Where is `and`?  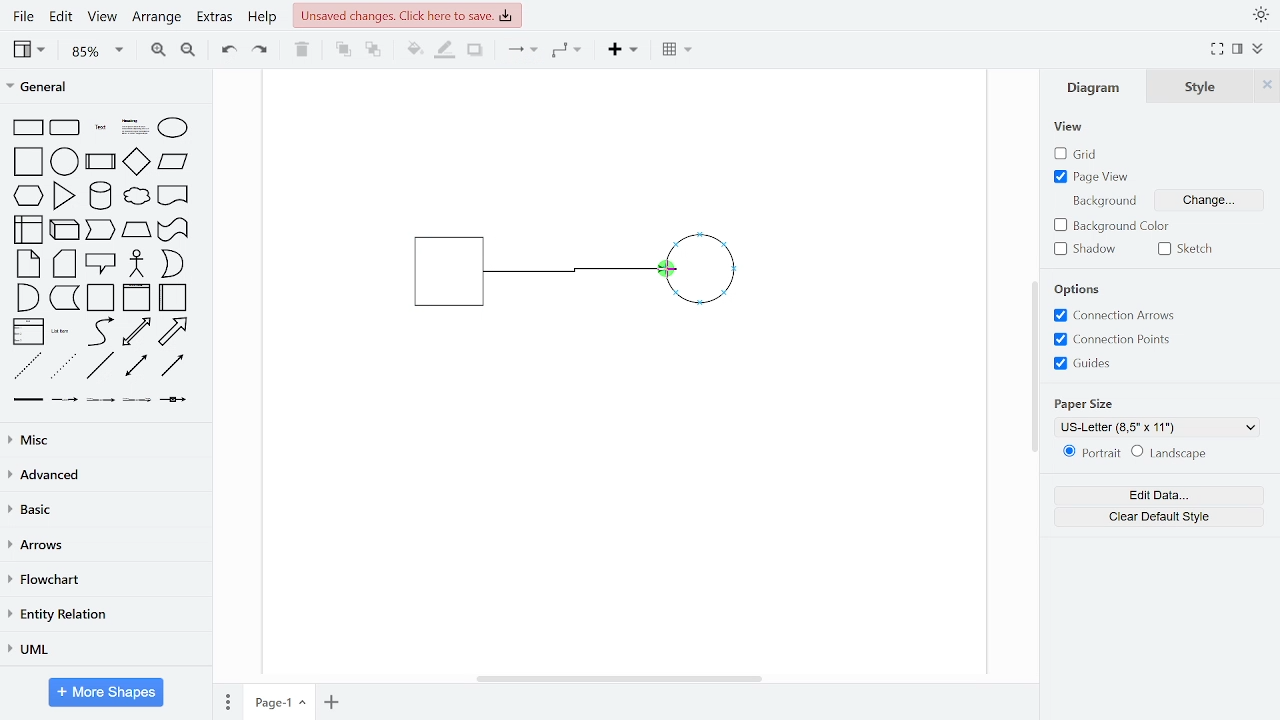
and is located at coordinates (28, 296).